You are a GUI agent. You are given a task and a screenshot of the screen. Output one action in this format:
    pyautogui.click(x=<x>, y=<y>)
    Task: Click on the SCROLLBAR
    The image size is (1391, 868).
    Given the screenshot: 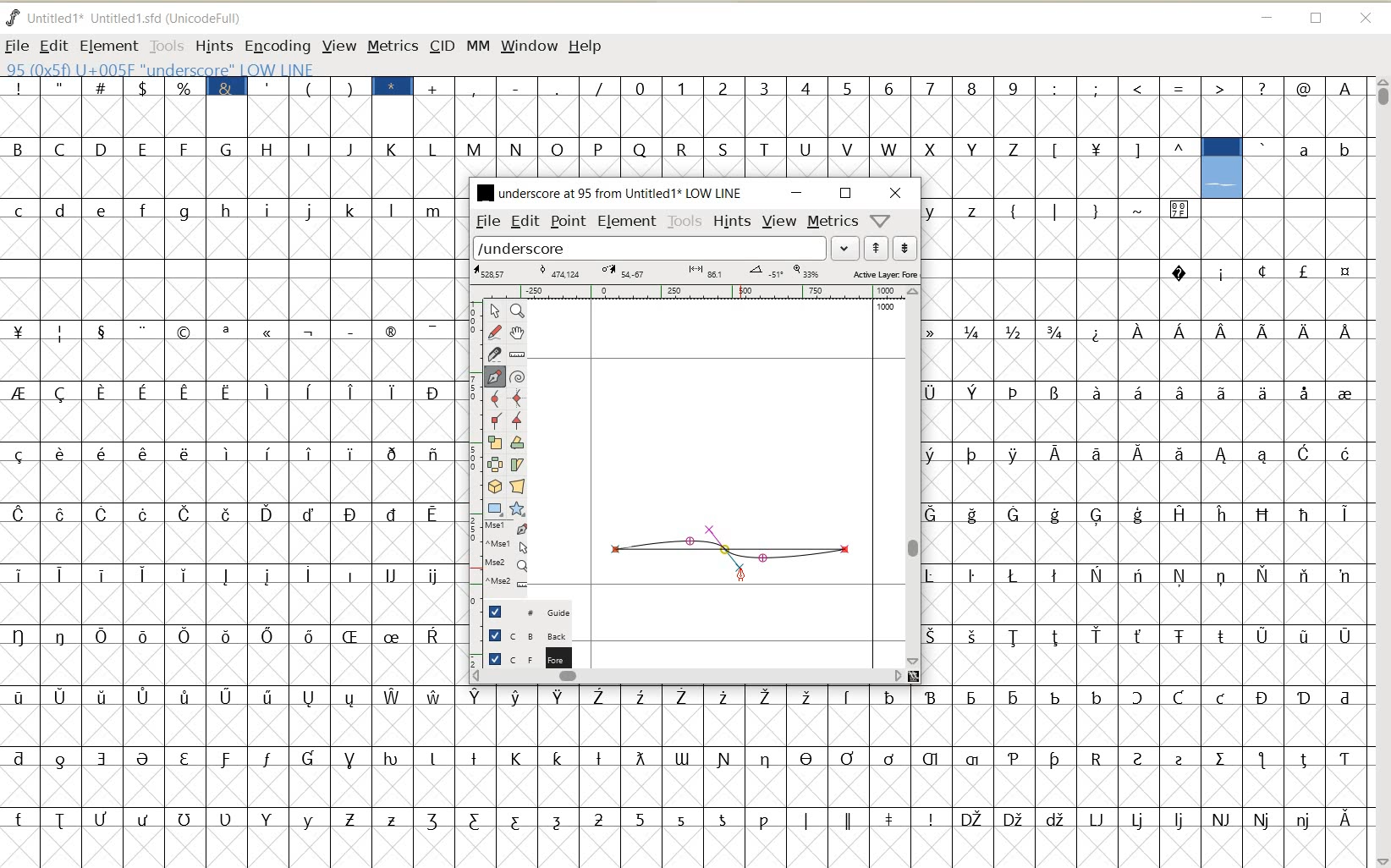 What is the action you would take?
    pyautogui.click(x=1381, y=472)
    